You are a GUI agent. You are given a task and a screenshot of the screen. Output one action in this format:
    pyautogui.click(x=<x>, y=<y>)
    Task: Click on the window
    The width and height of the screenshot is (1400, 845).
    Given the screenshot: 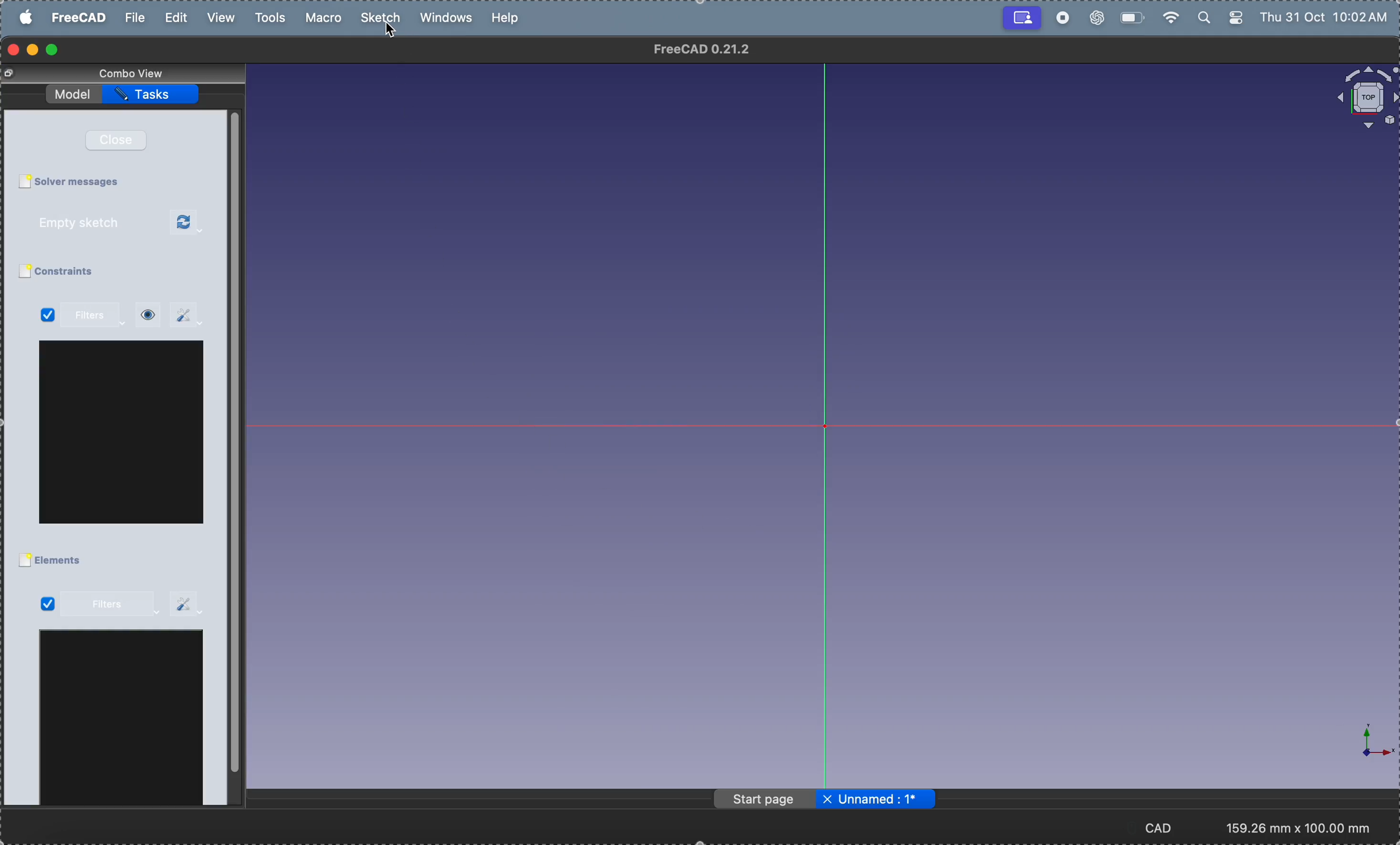 What is the action you would take?
    pyautogui.click(x=123, y=432)
    